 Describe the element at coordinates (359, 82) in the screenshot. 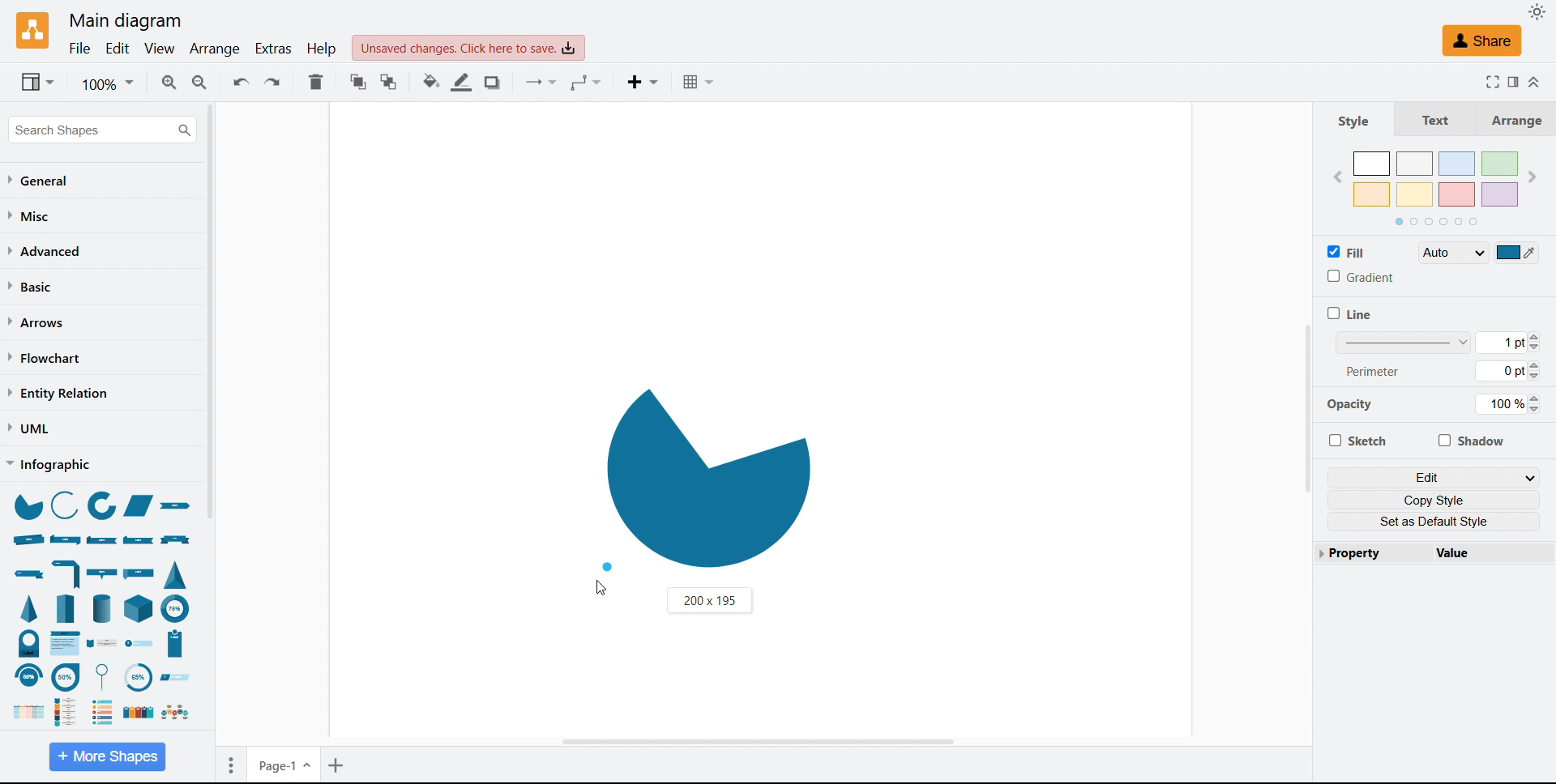

I see `To front ` at that location.